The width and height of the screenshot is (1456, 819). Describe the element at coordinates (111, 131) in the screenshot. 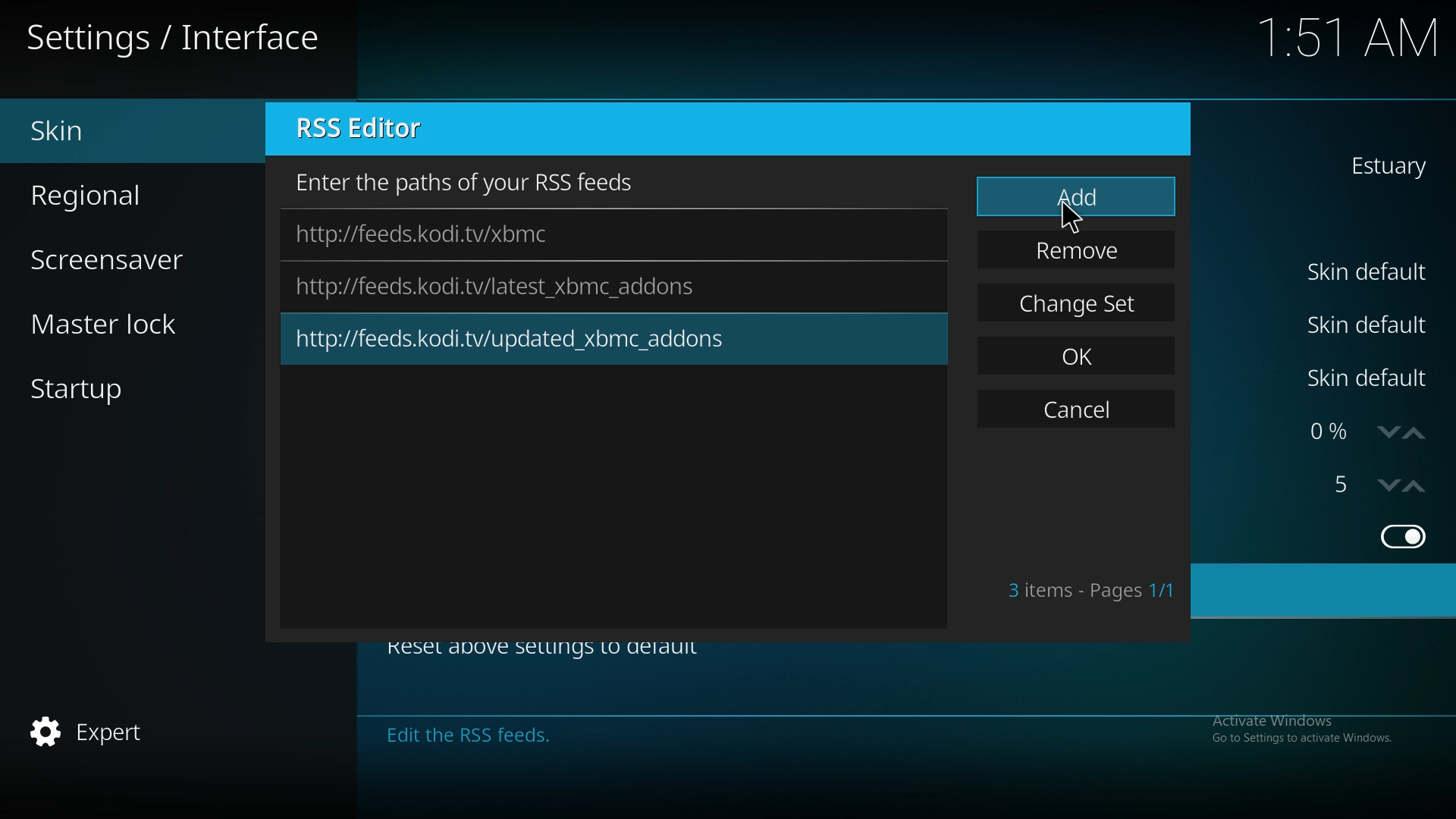

I see `skin` at that location.